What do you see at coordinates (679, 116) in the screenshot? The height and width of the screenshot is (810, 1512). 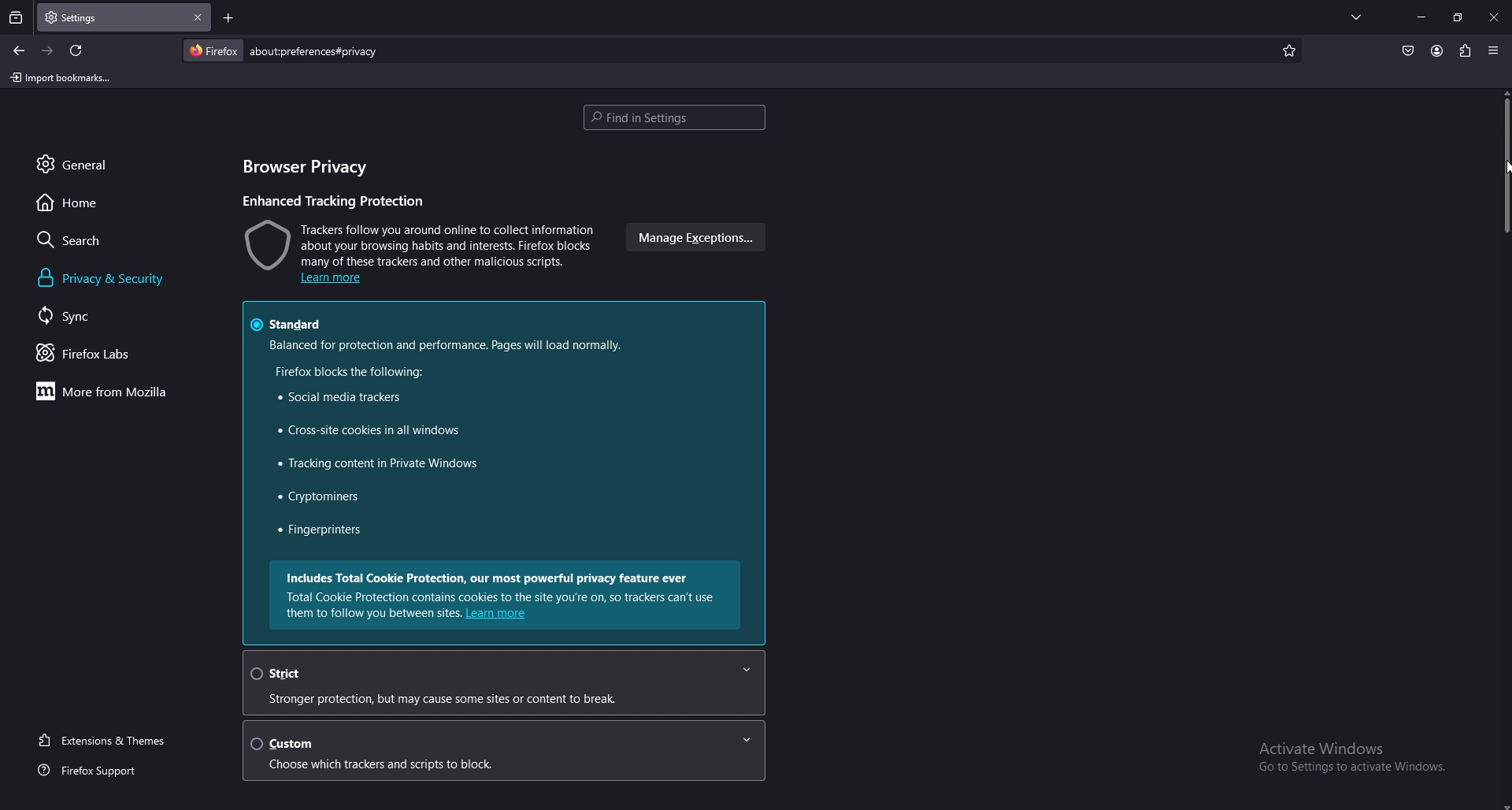 I see `find in settings` at bounding box center [679, 116].